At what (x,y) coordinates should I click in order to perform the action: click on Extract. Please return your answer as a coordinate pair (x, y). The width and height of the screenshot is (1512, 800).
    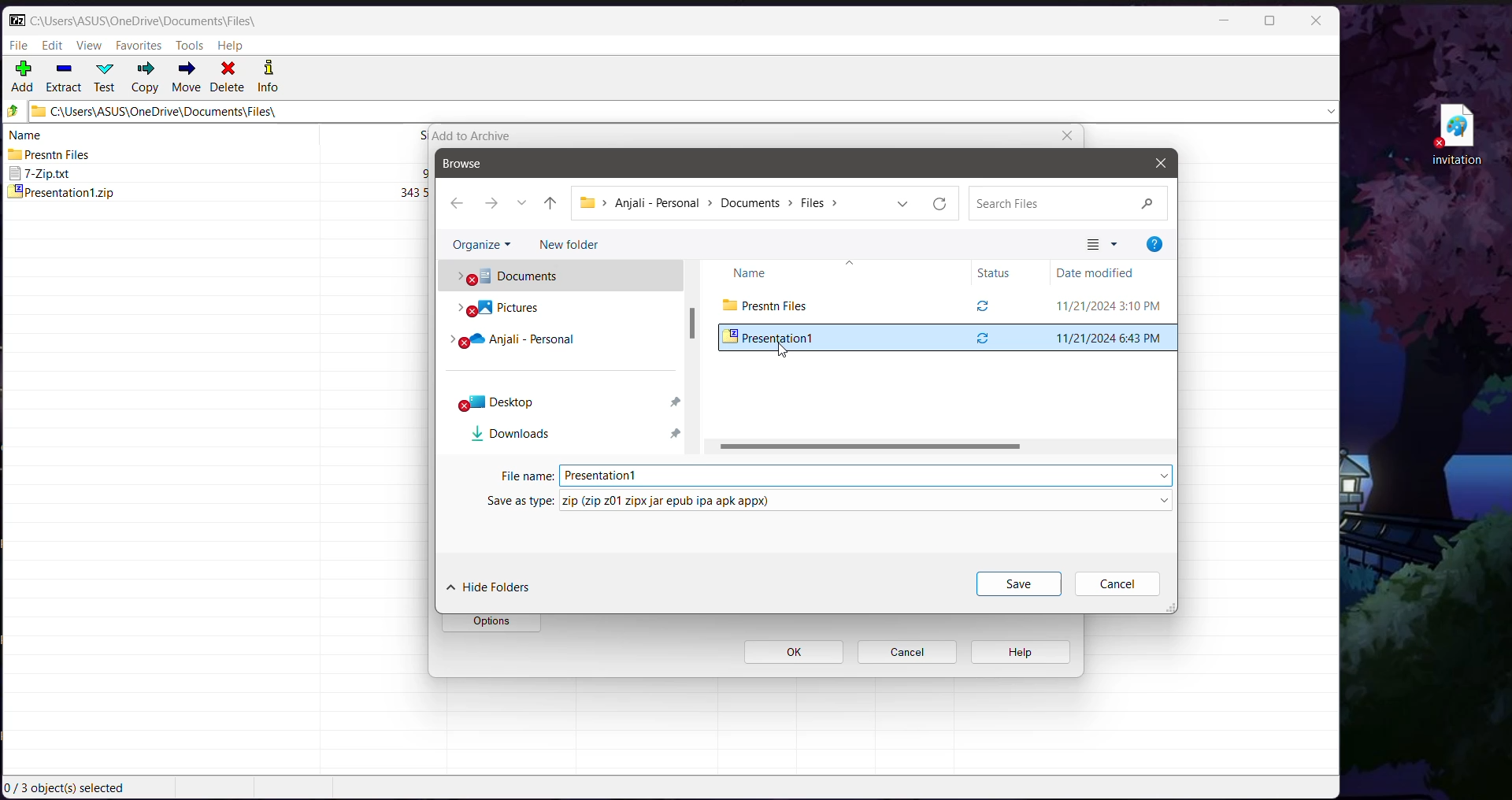
    Looking at the image, I should click on (64, 78).